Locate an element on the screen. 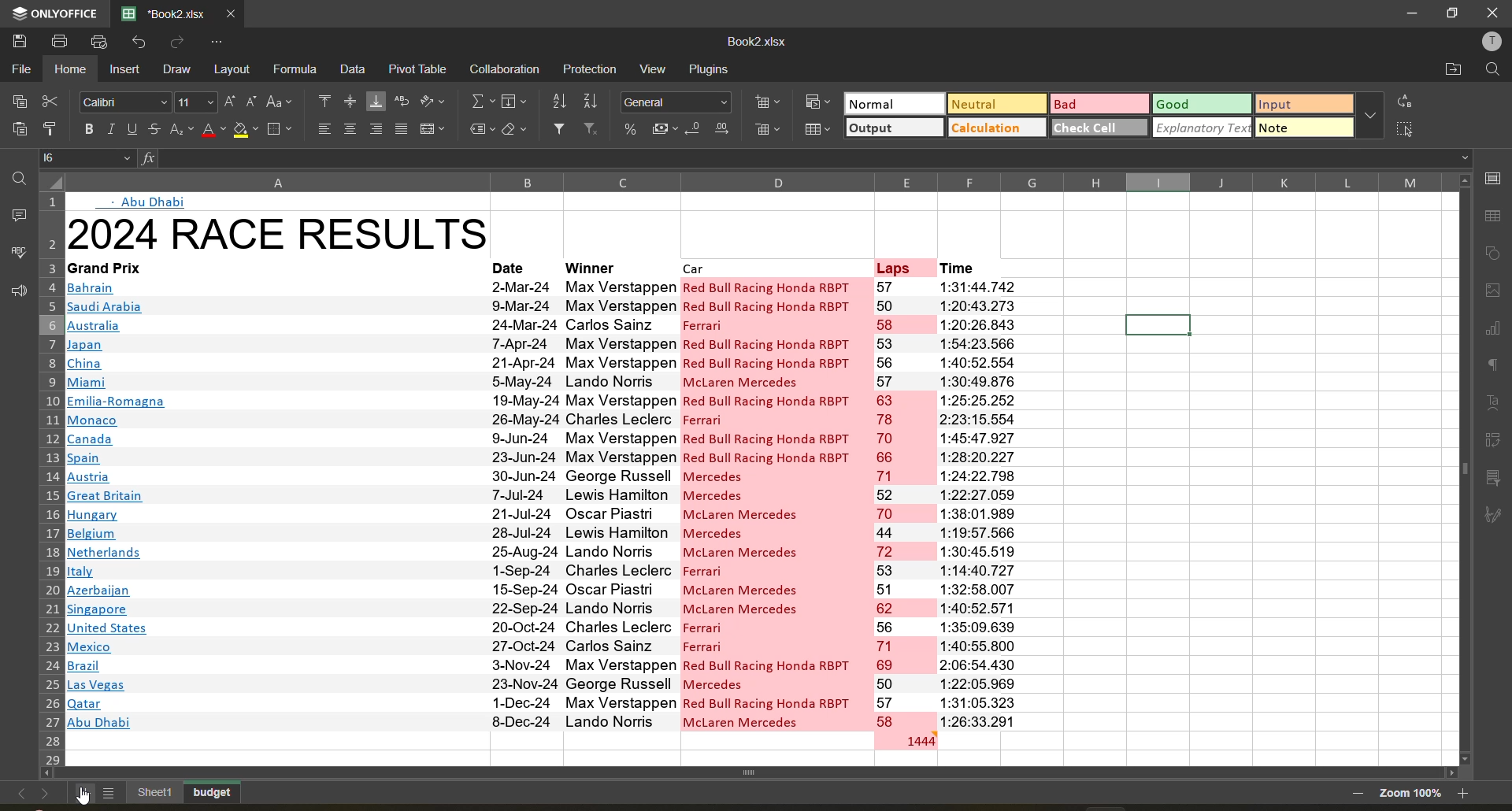 The width and height of the screenshot is (1512, 811). row numbers is located at coordinates (53, 480).